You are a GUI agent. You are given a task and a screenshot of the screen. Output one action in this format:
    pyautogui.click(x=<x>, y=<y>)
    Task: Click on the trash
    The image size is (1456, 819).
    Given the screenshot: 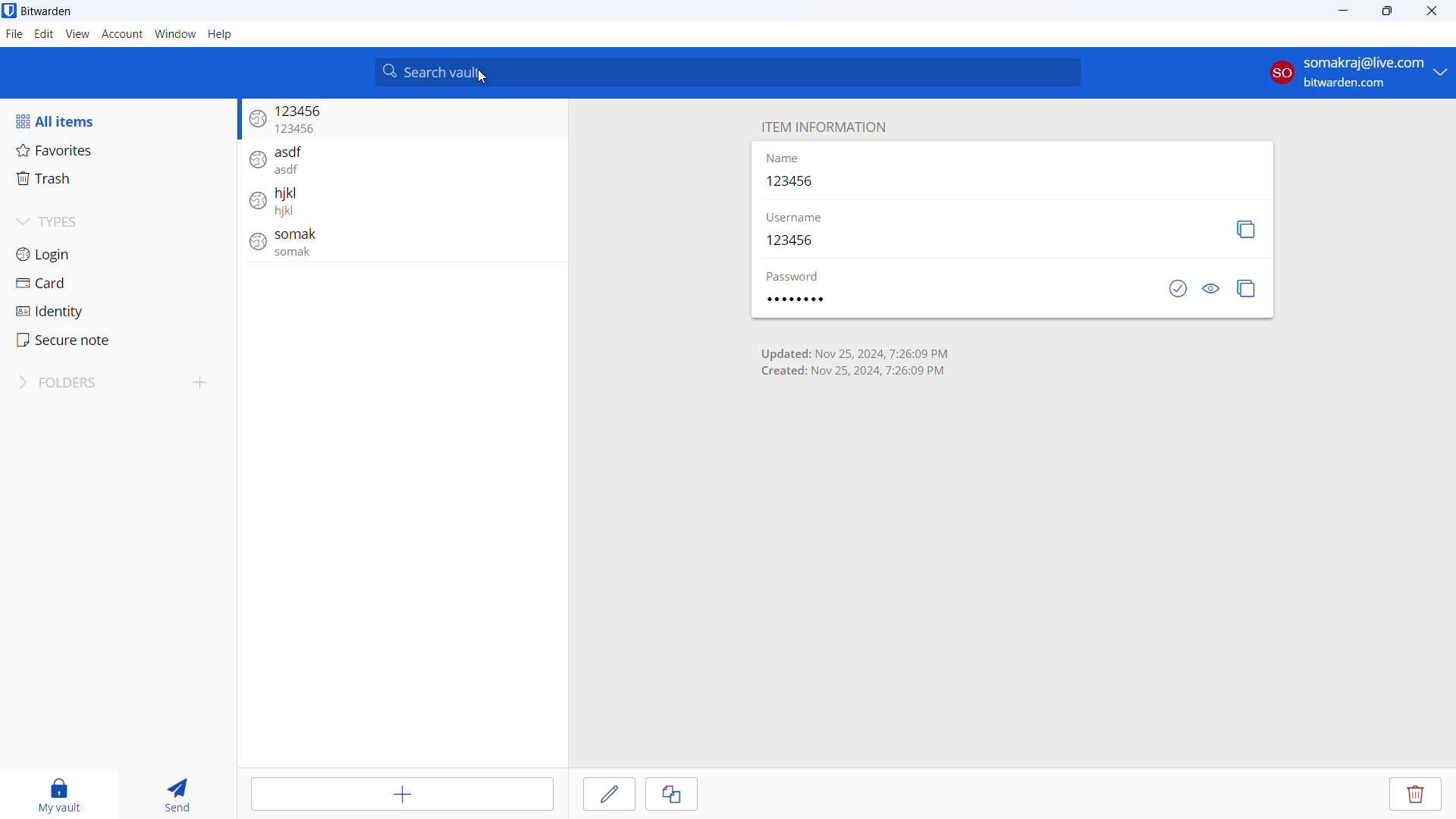 What is the action you would take?
    pyautogui.click(x=115, y=179)
    